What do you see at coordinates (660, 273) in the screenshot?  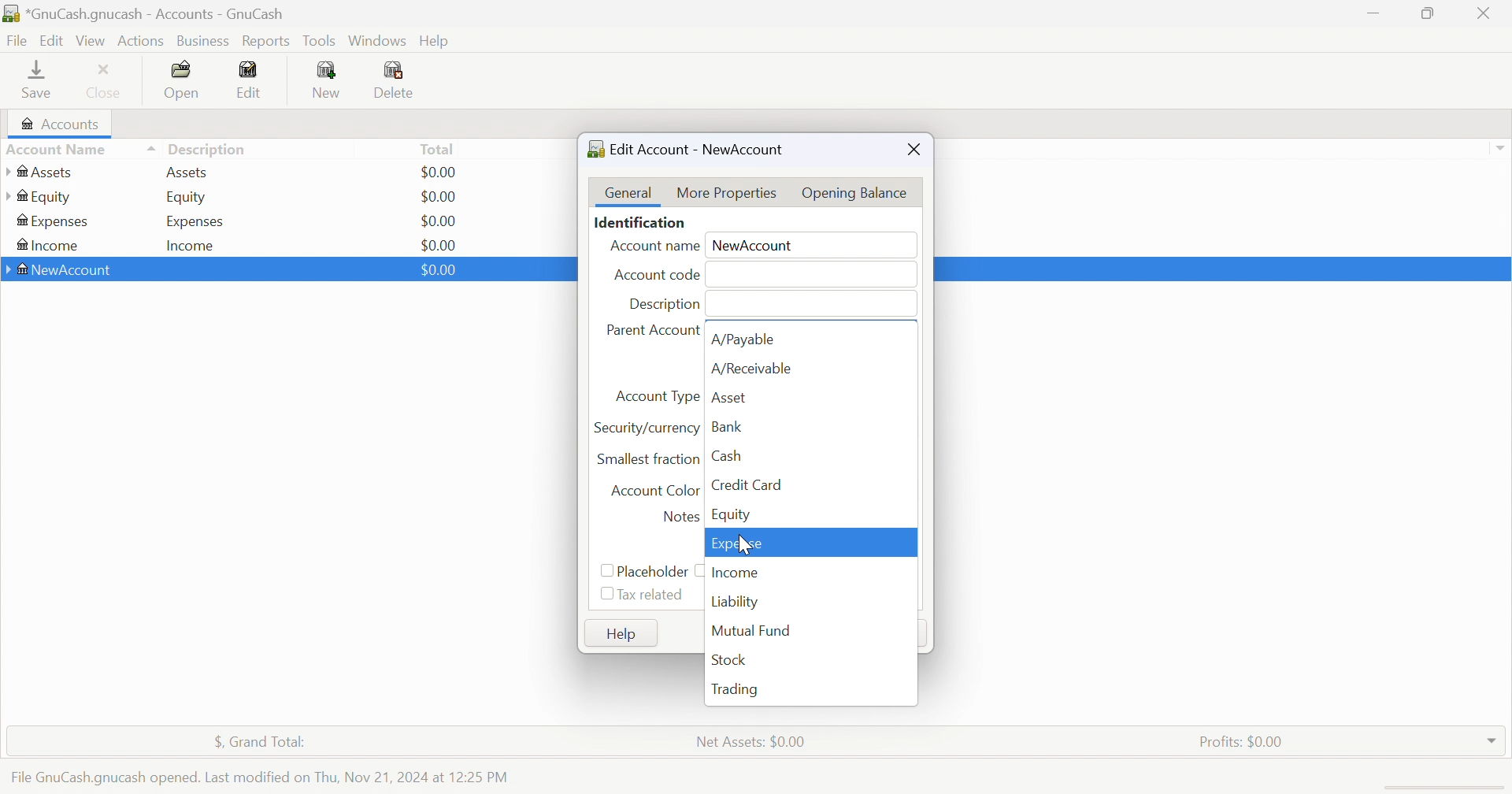 I see `Account code` at bounding box center [660, 273].